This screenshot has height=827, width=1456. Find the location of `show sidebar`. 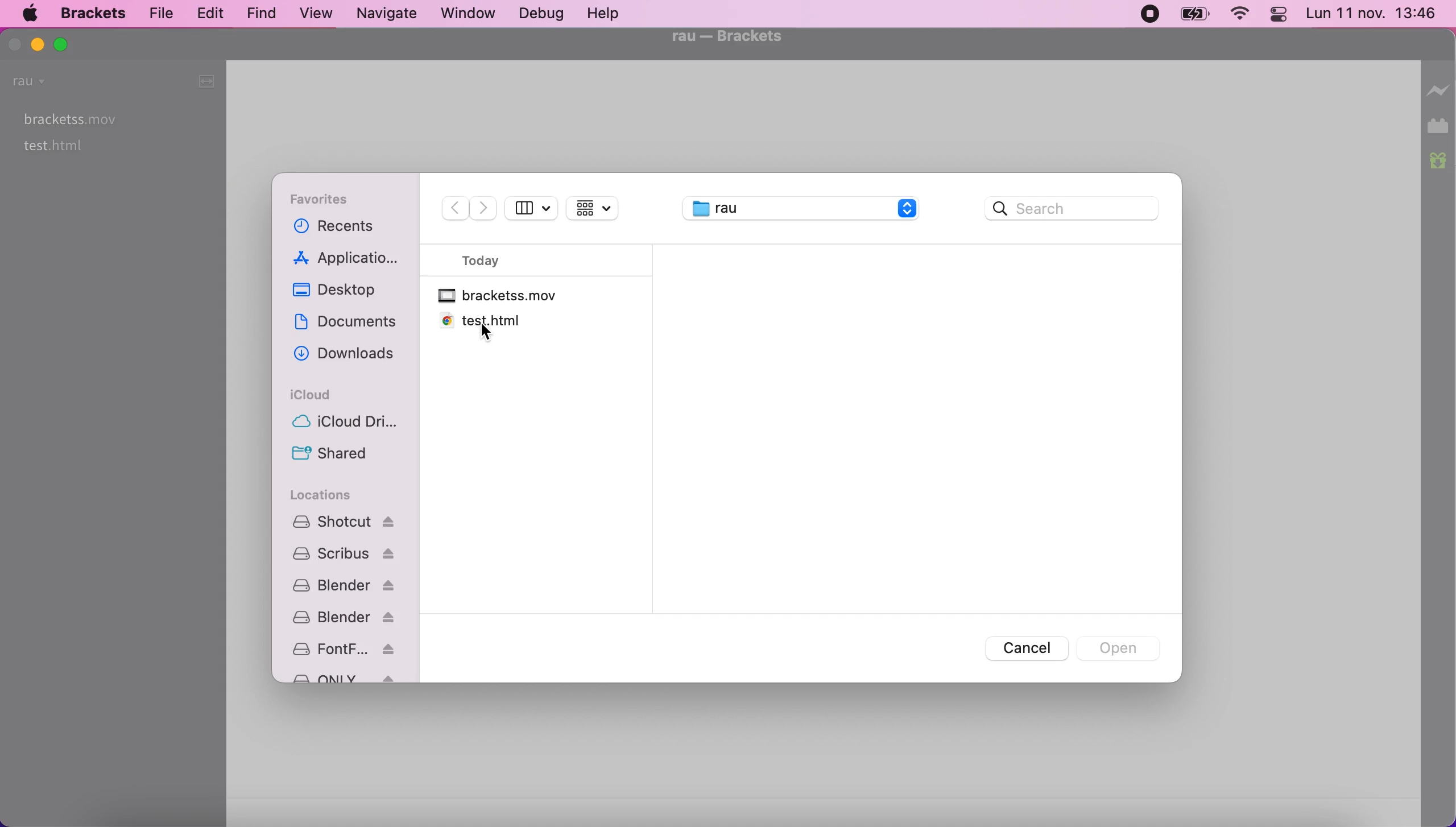

show sidebar is located at coordinates (531, 209).